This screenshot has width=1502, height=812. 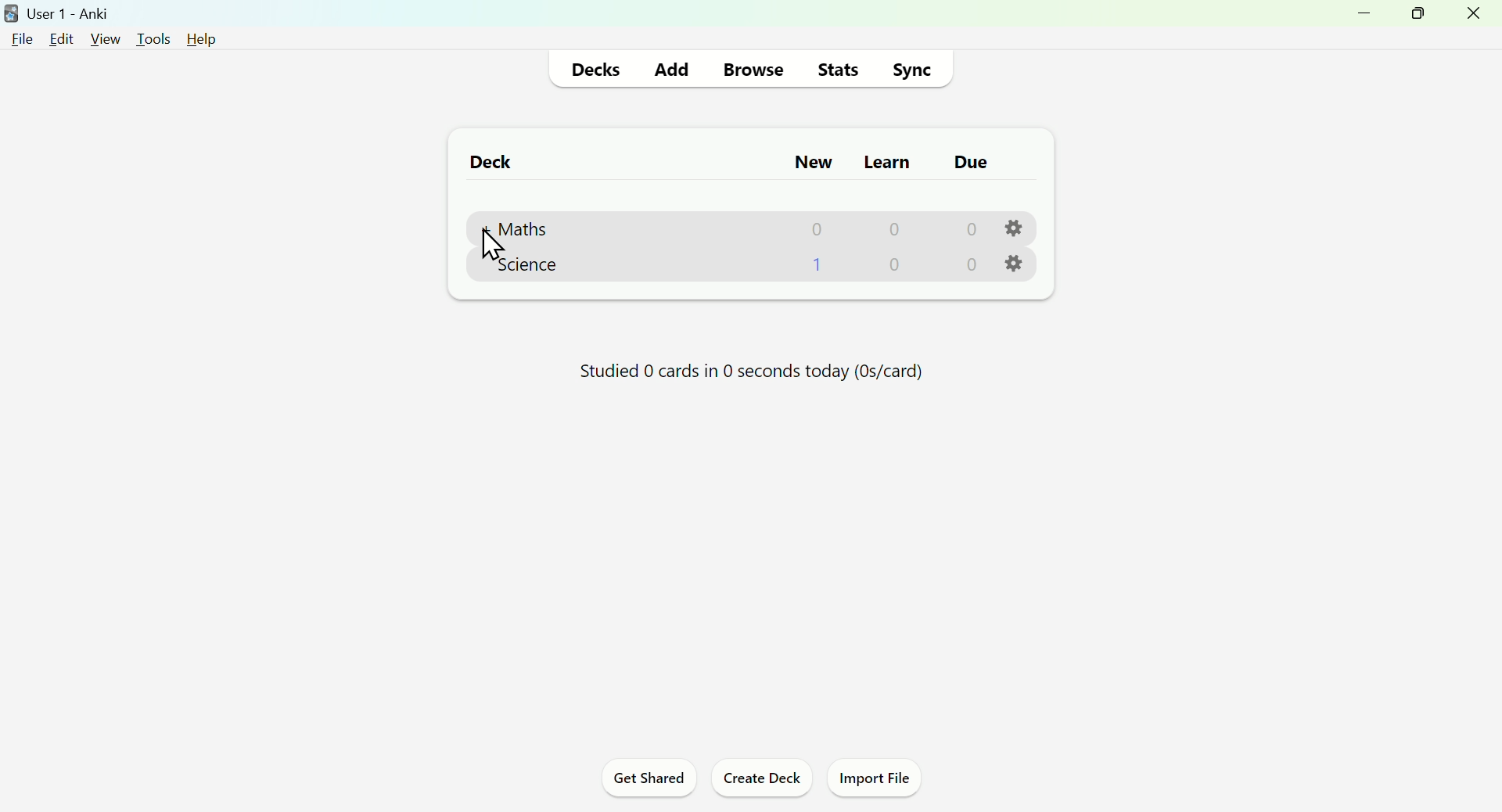 What do you see at coordinates (1015, 228) in the screenshot?
I see `Settings` at bounding box center [1015, 228].